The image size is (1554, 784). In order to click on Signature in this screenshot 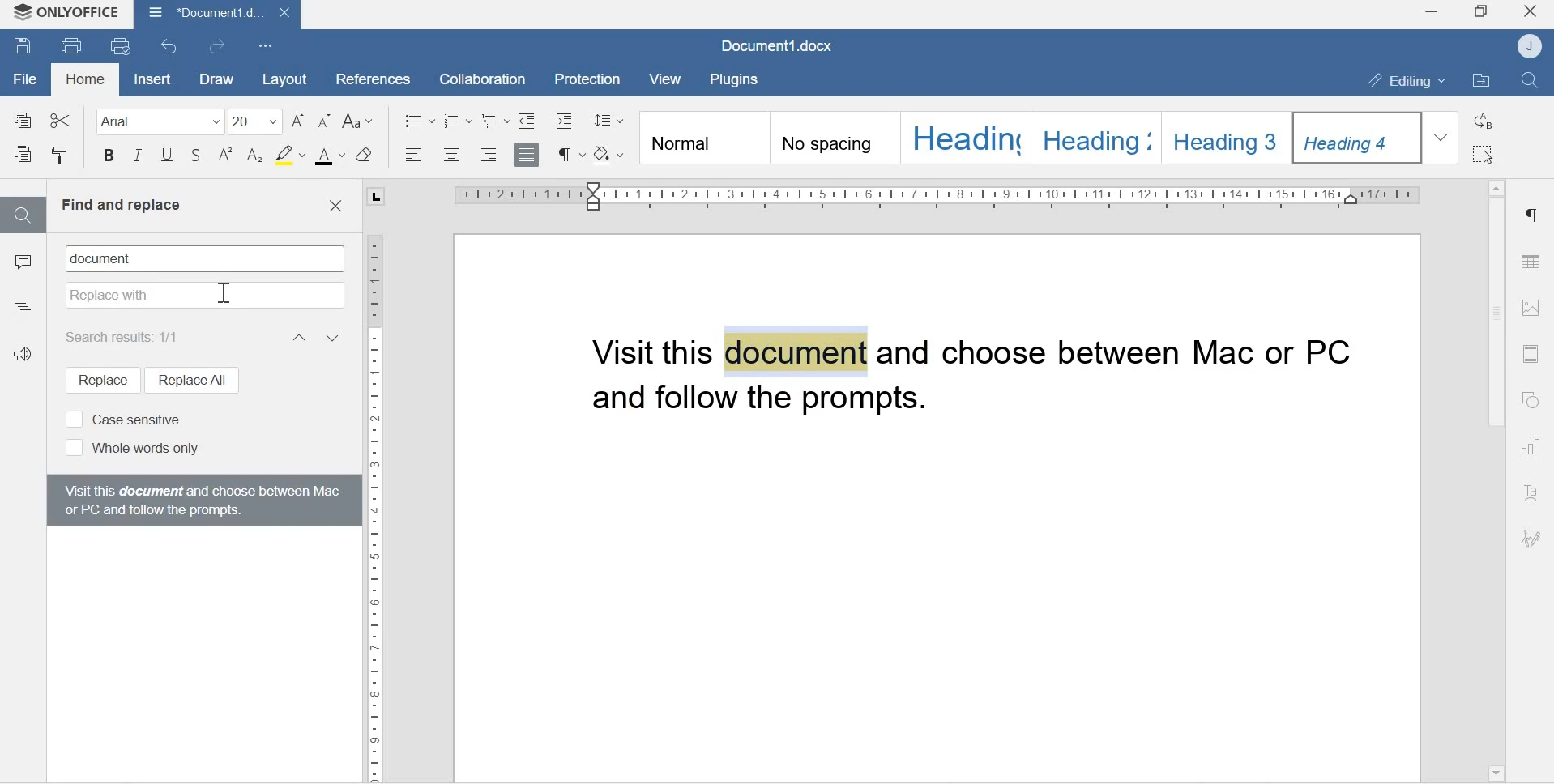, I will do `click(1531, 539)`.